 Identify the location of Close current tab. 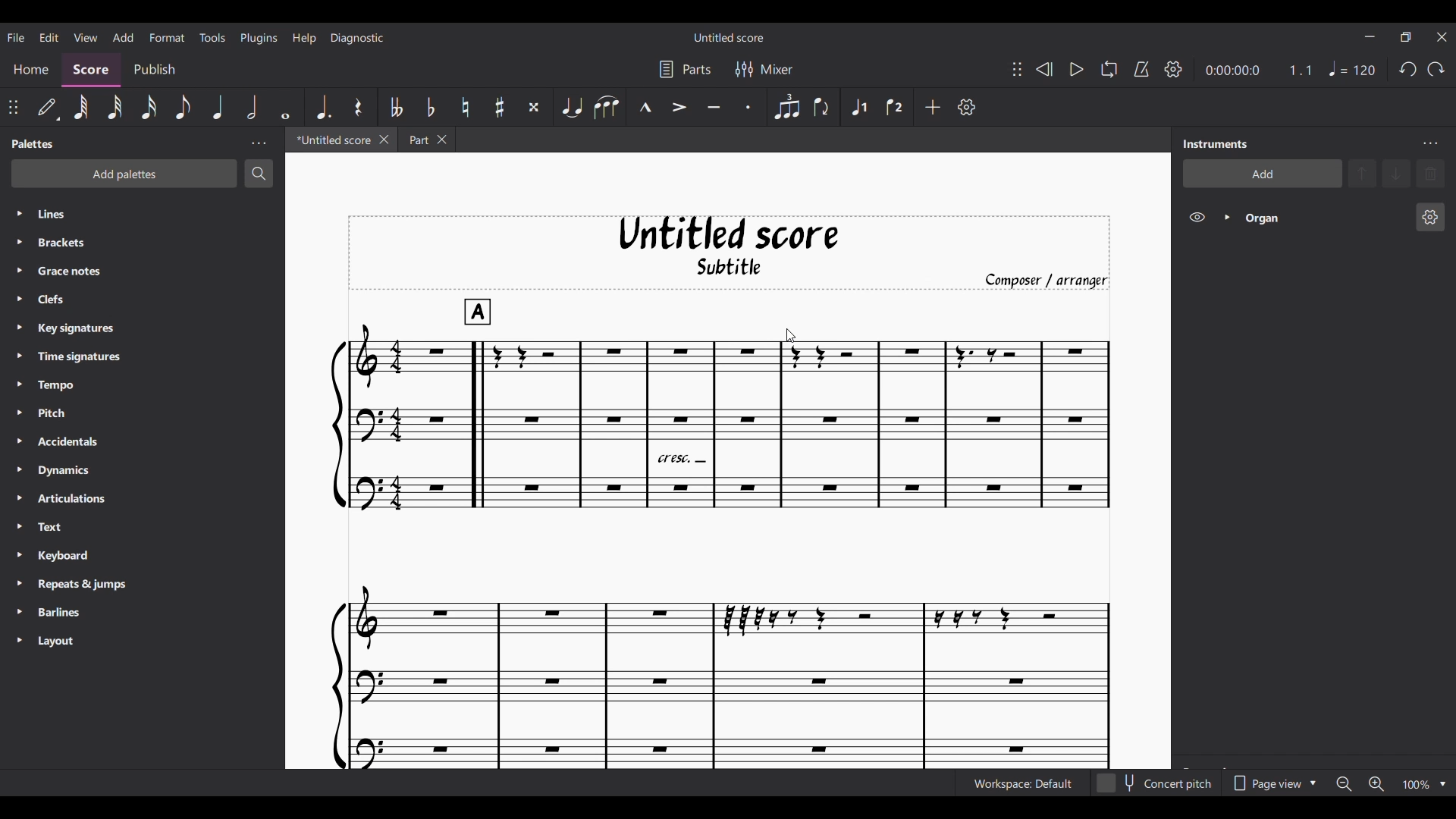
(384, 139).